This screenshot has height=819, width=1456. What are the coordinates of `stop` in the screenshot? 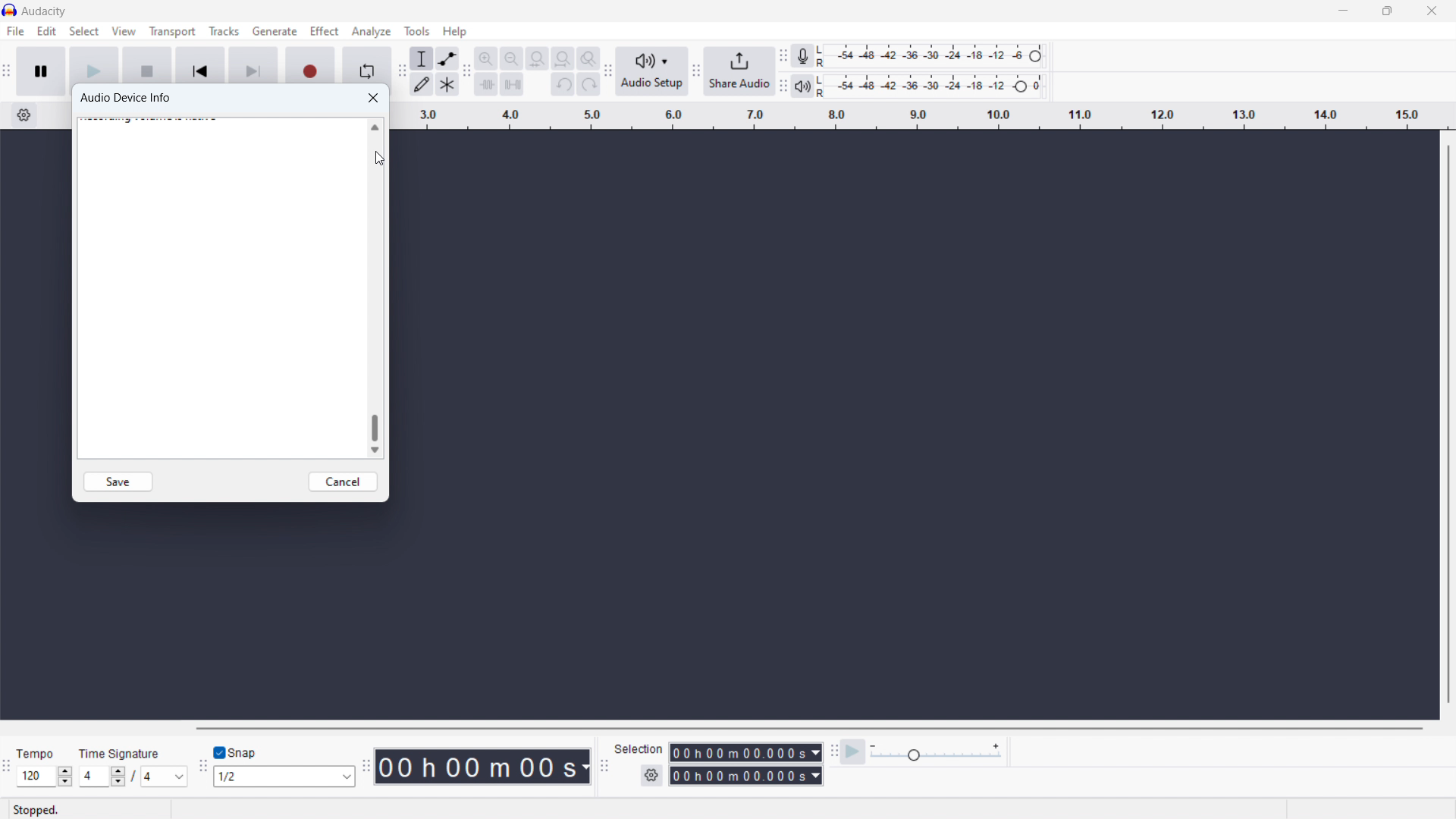 It's located at (147, 64).